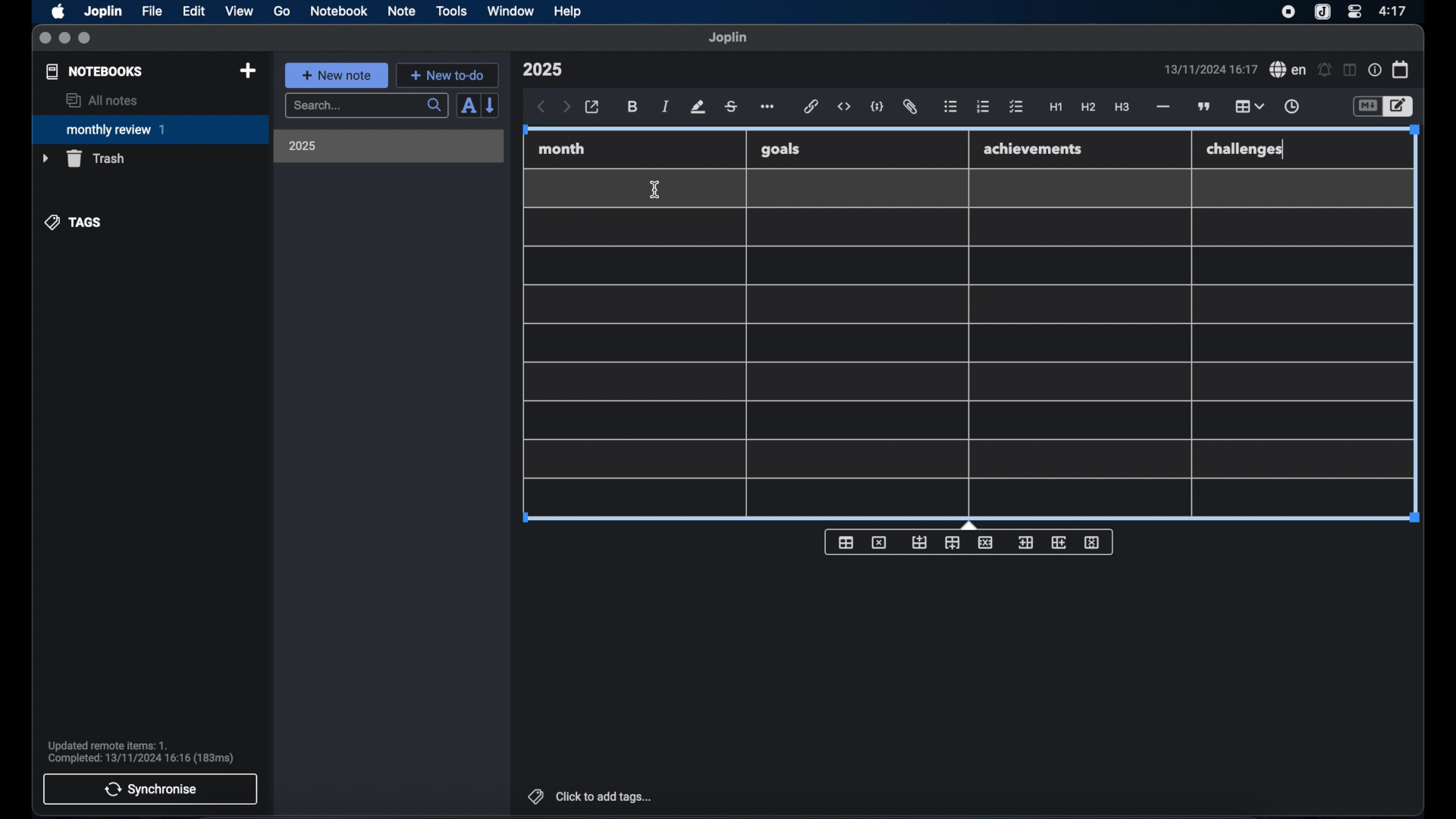  I want to click on apple icon, so click(57, 11).